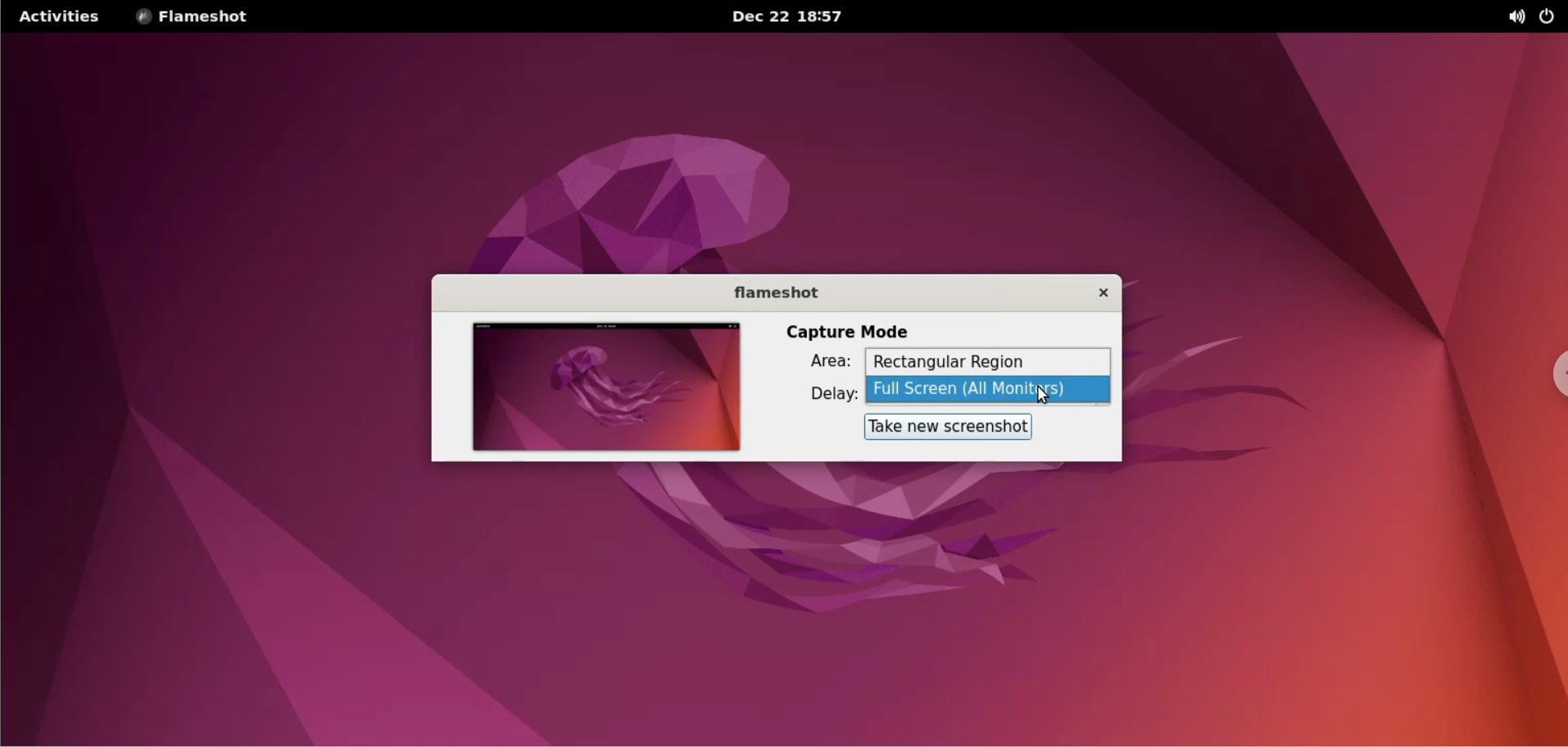 The image size is (1568, 747). Describe the element at coordinates (942, 428) in the screenshot. I see `take new screenshot button` at that location.